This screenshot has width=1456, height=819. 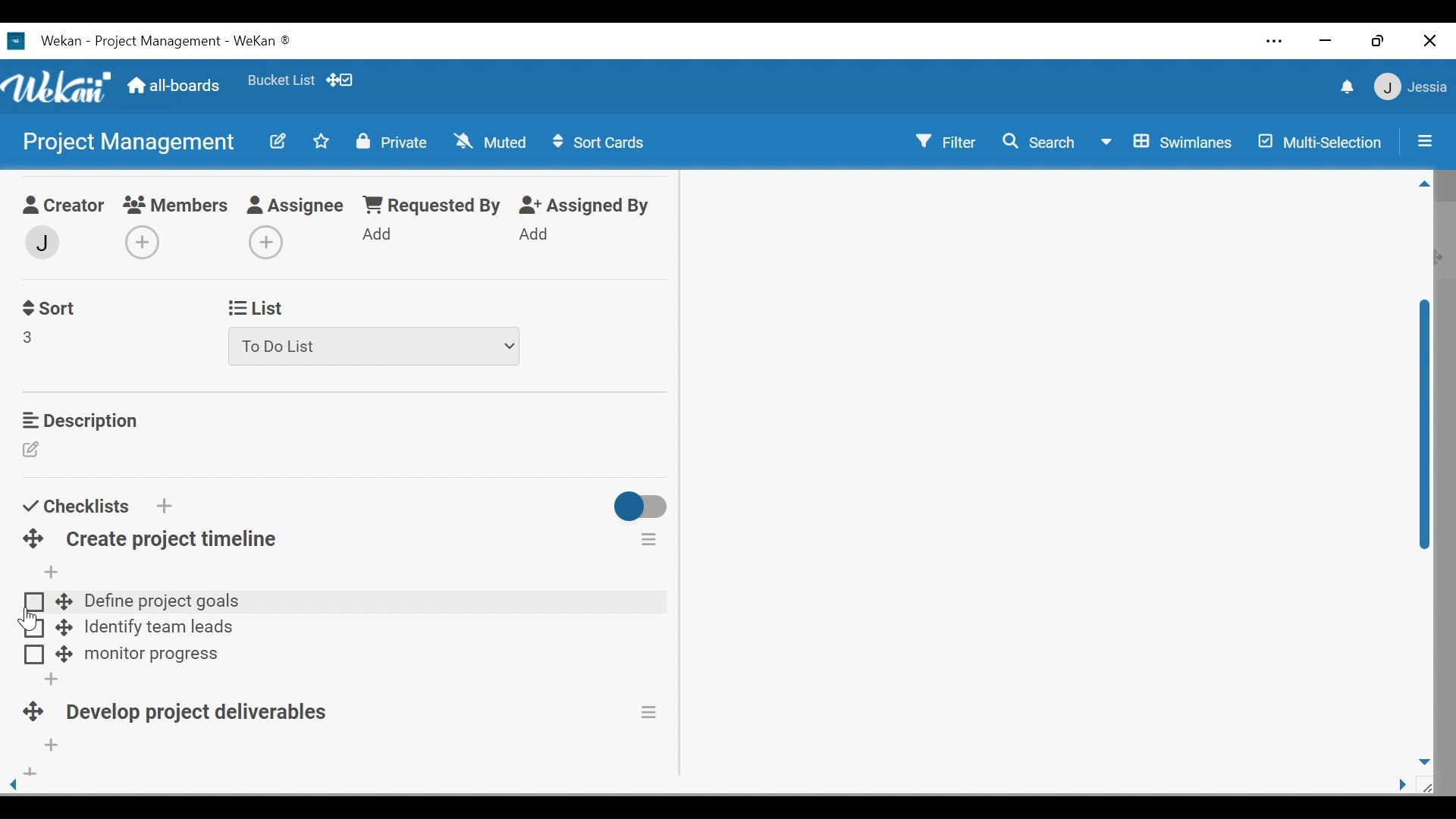 I want to click on Muted, so click(x=489, y=141).